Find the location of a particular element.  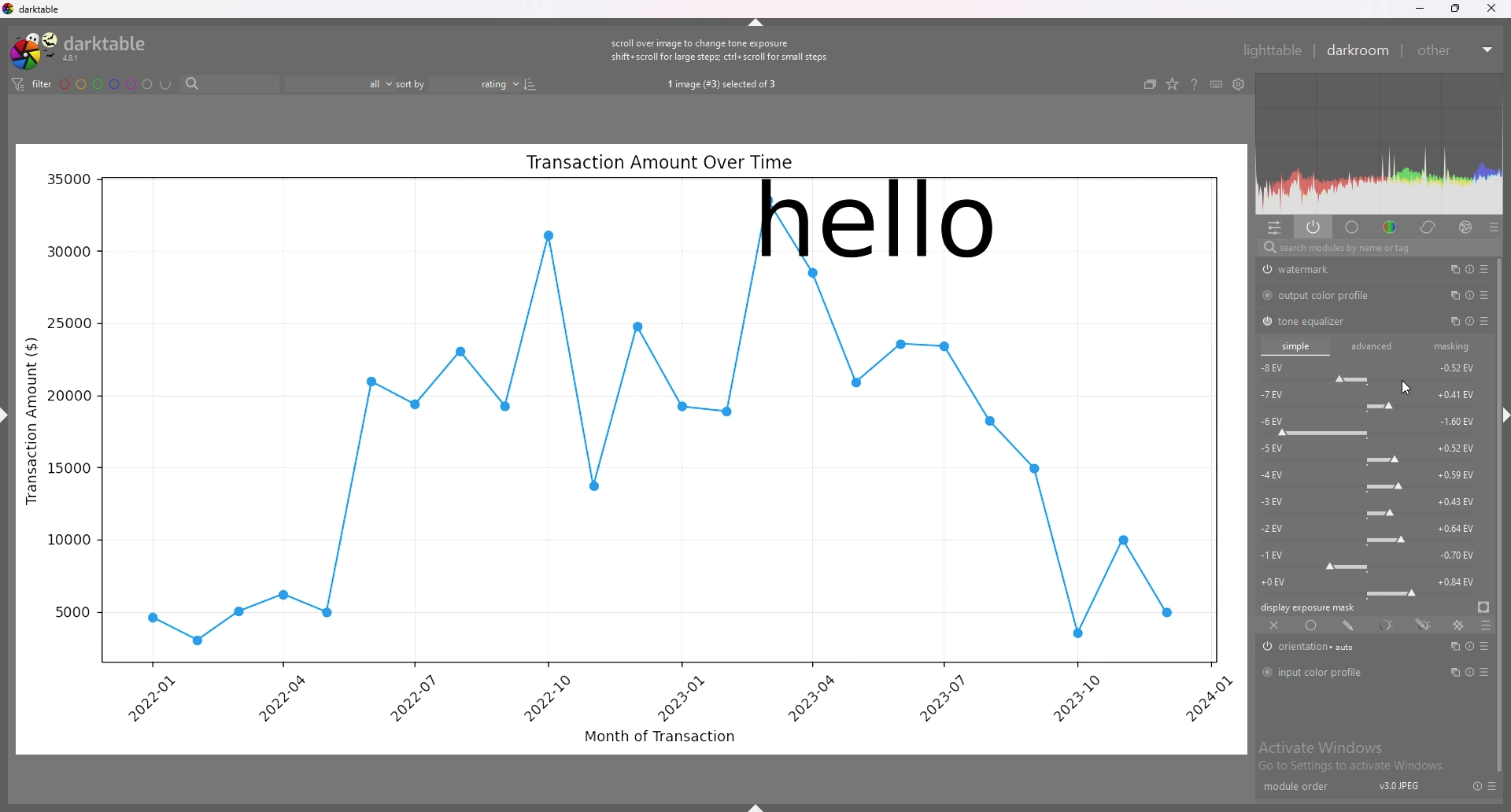

2024-01 is located at coordinates (1207, 699).